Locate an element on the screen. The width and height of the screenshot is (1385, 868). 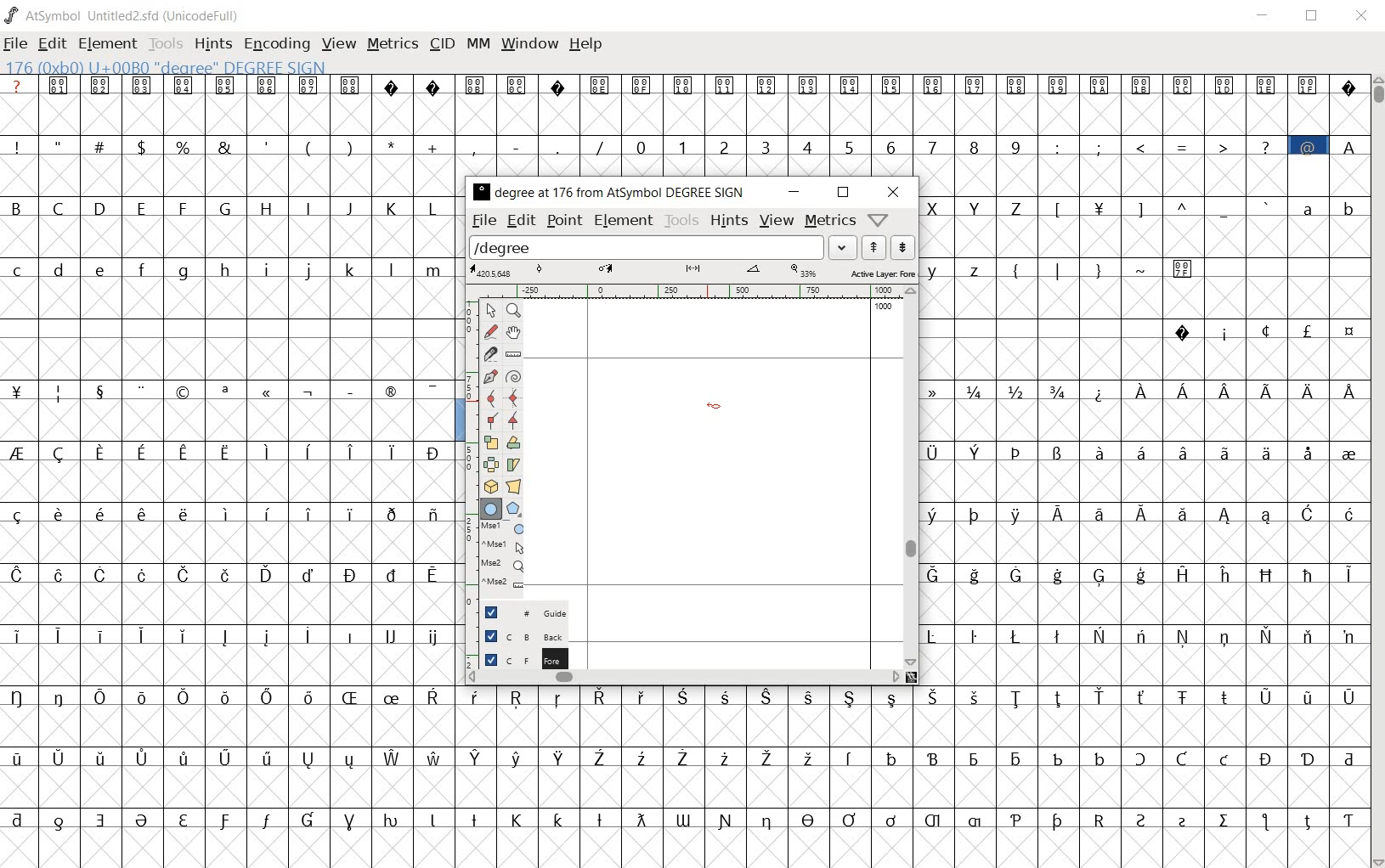
rectangle or ellipse is located at coordinates (490, 508).